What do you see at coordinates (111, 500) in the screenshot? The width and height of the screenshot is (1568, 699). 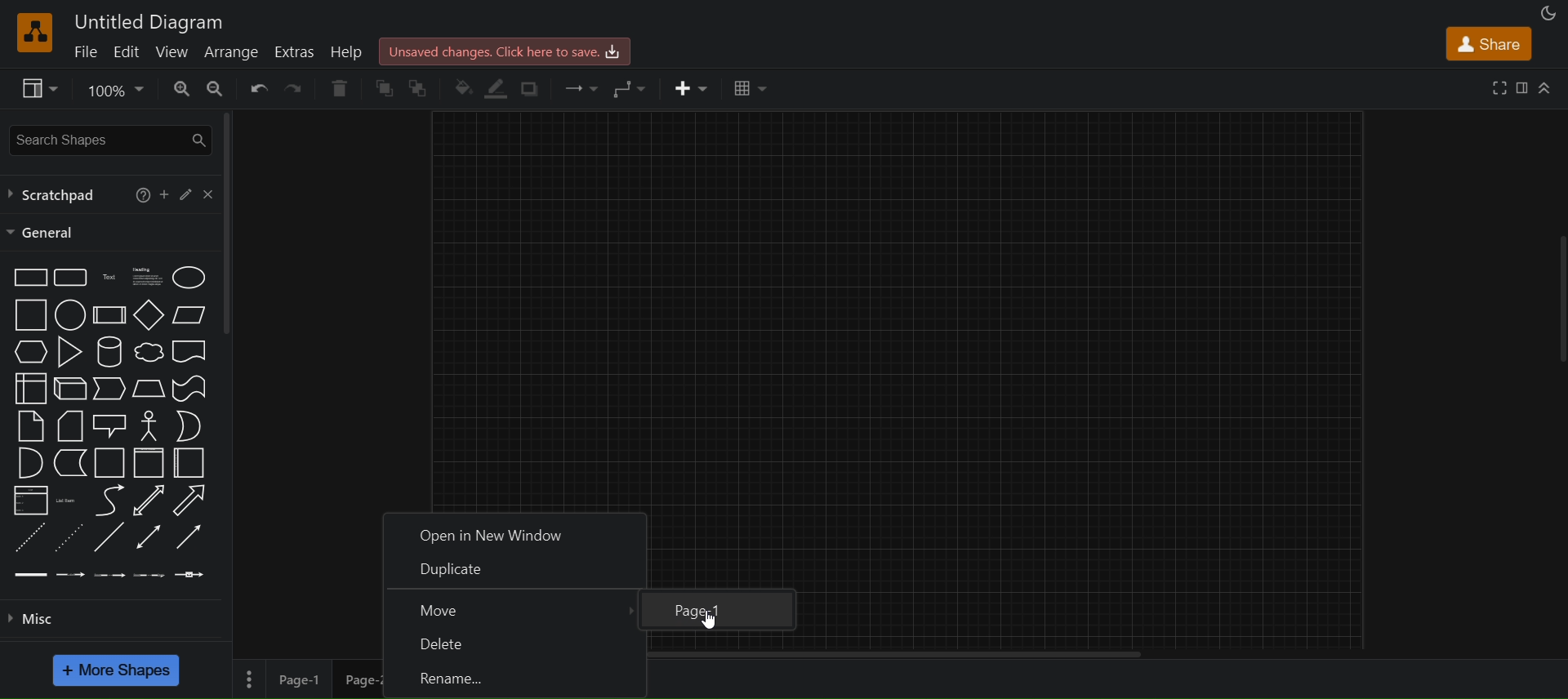 I see `curve` at bounding box center [111, 500].